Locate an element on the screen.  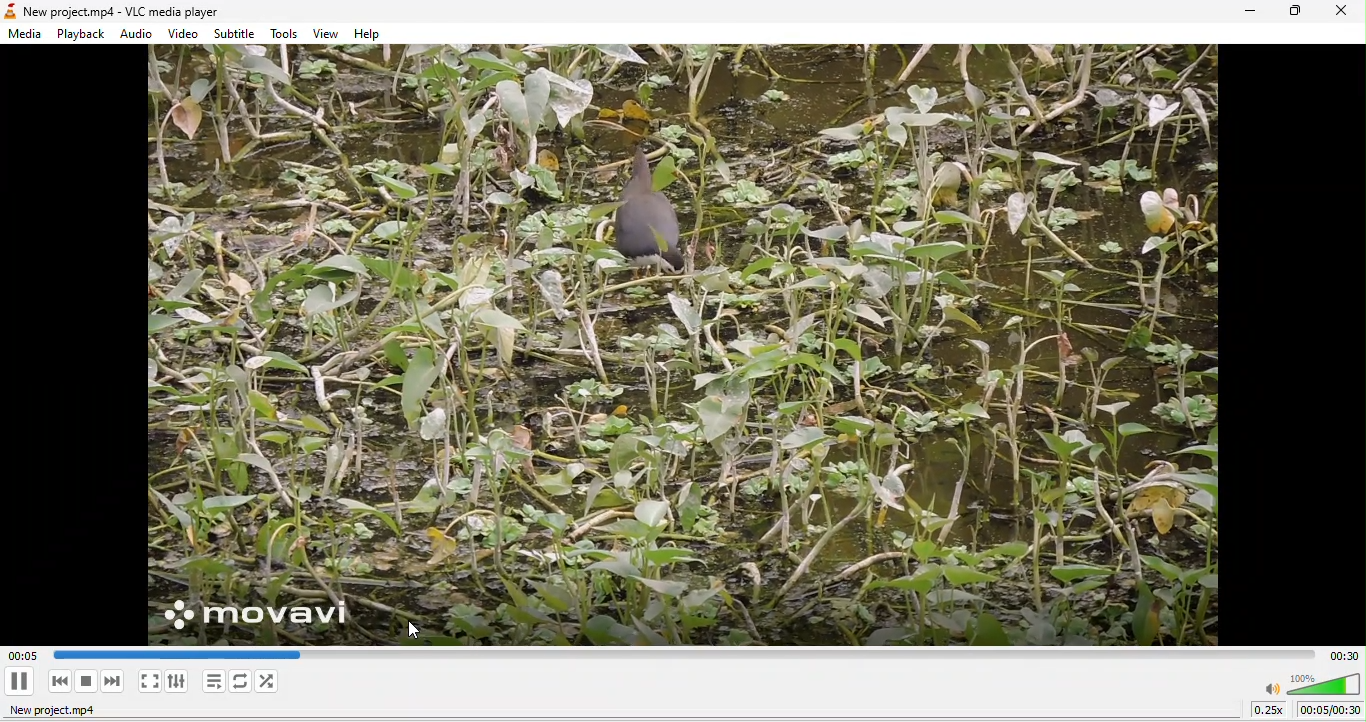
Cursor is located at coordinates (418, 633).